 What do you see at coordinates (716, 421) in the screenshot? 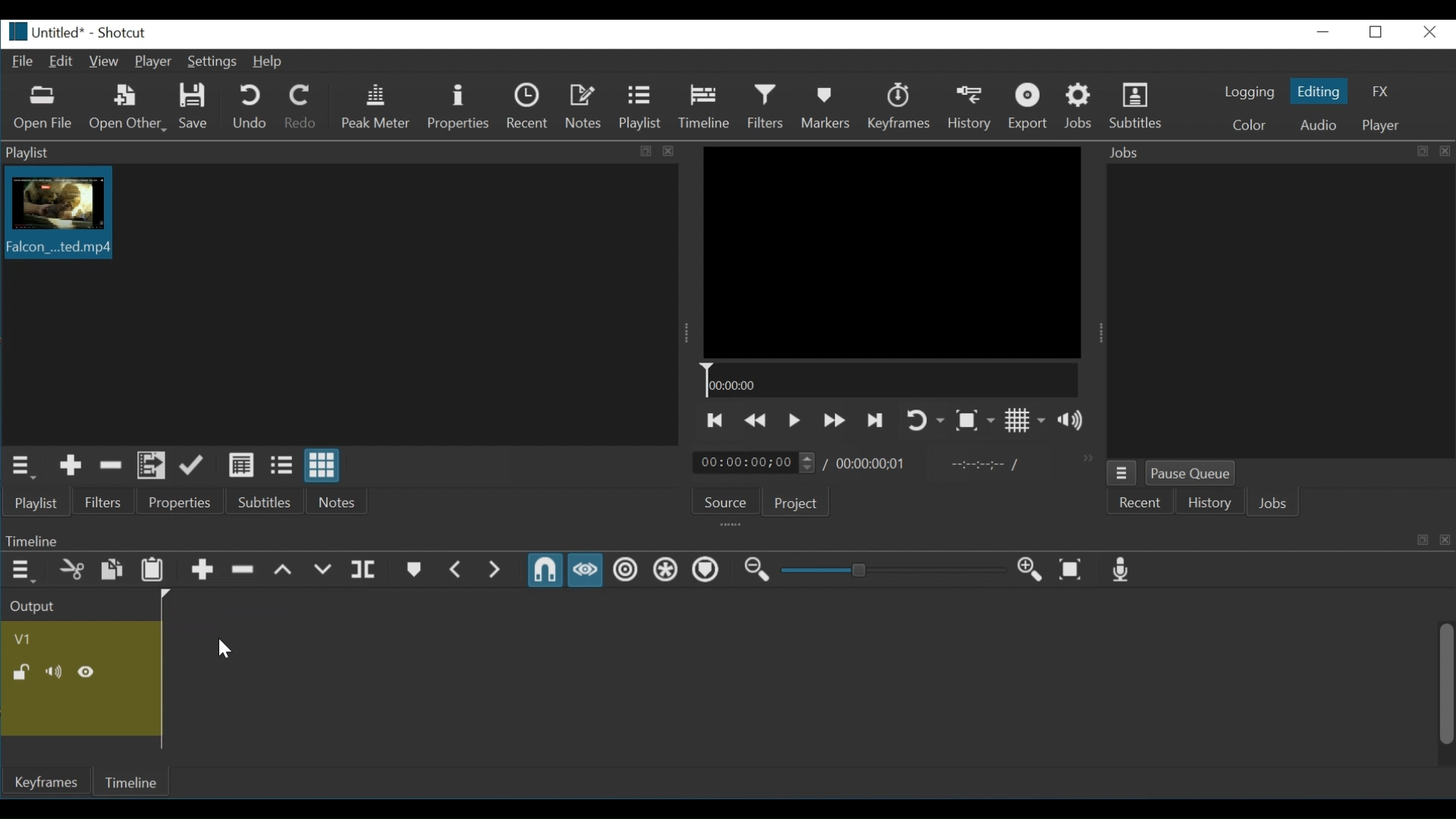
I see `Skip to the previous point` at bounding box center [716, 421].